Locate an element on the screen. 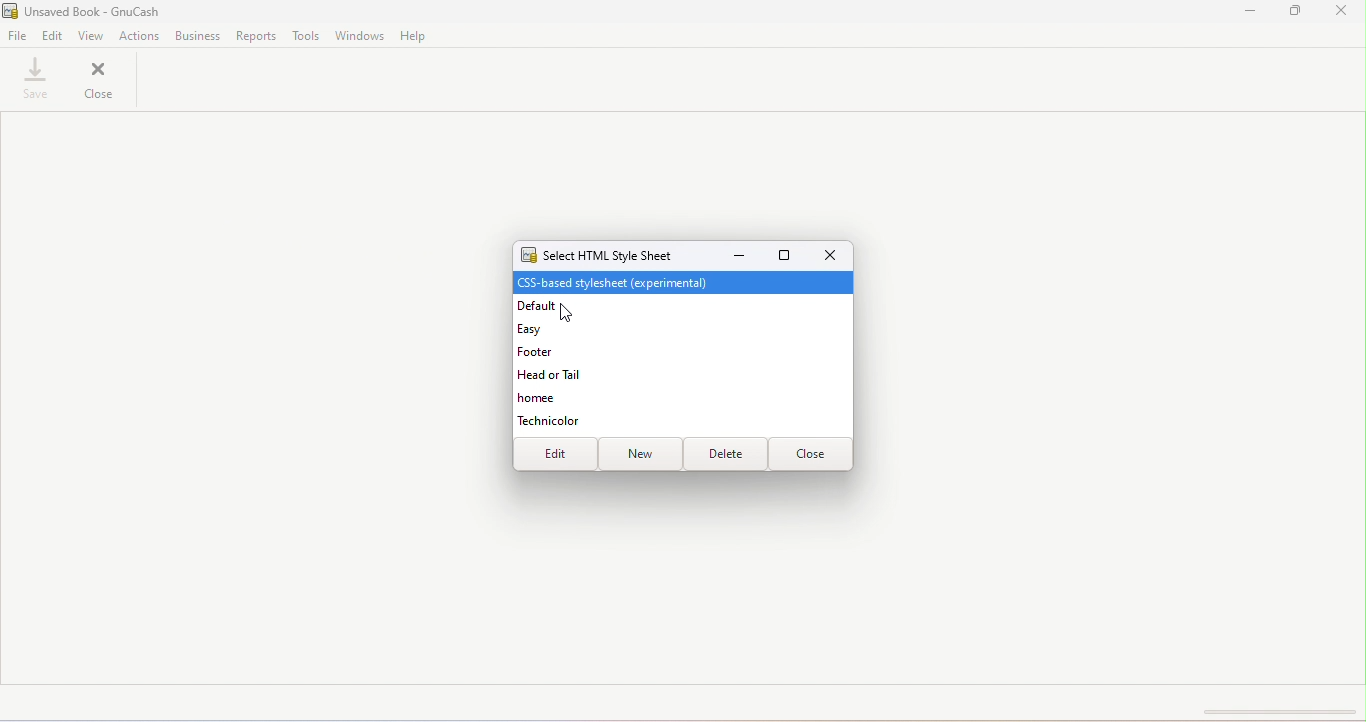 This screenshot has width=1366, height=722. Windows is located at coordinates (363, 36).